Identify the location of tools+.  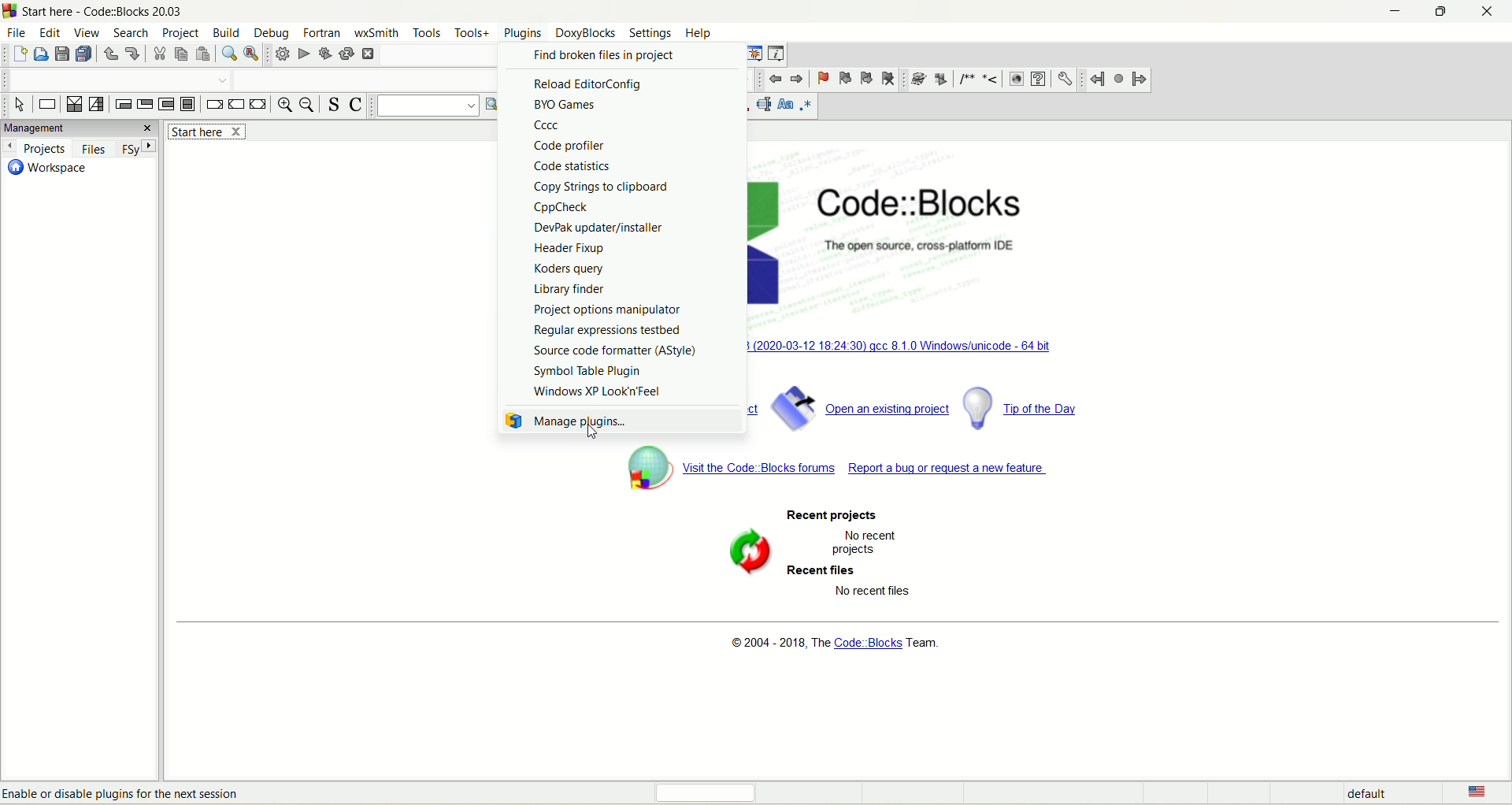
(474, 33).